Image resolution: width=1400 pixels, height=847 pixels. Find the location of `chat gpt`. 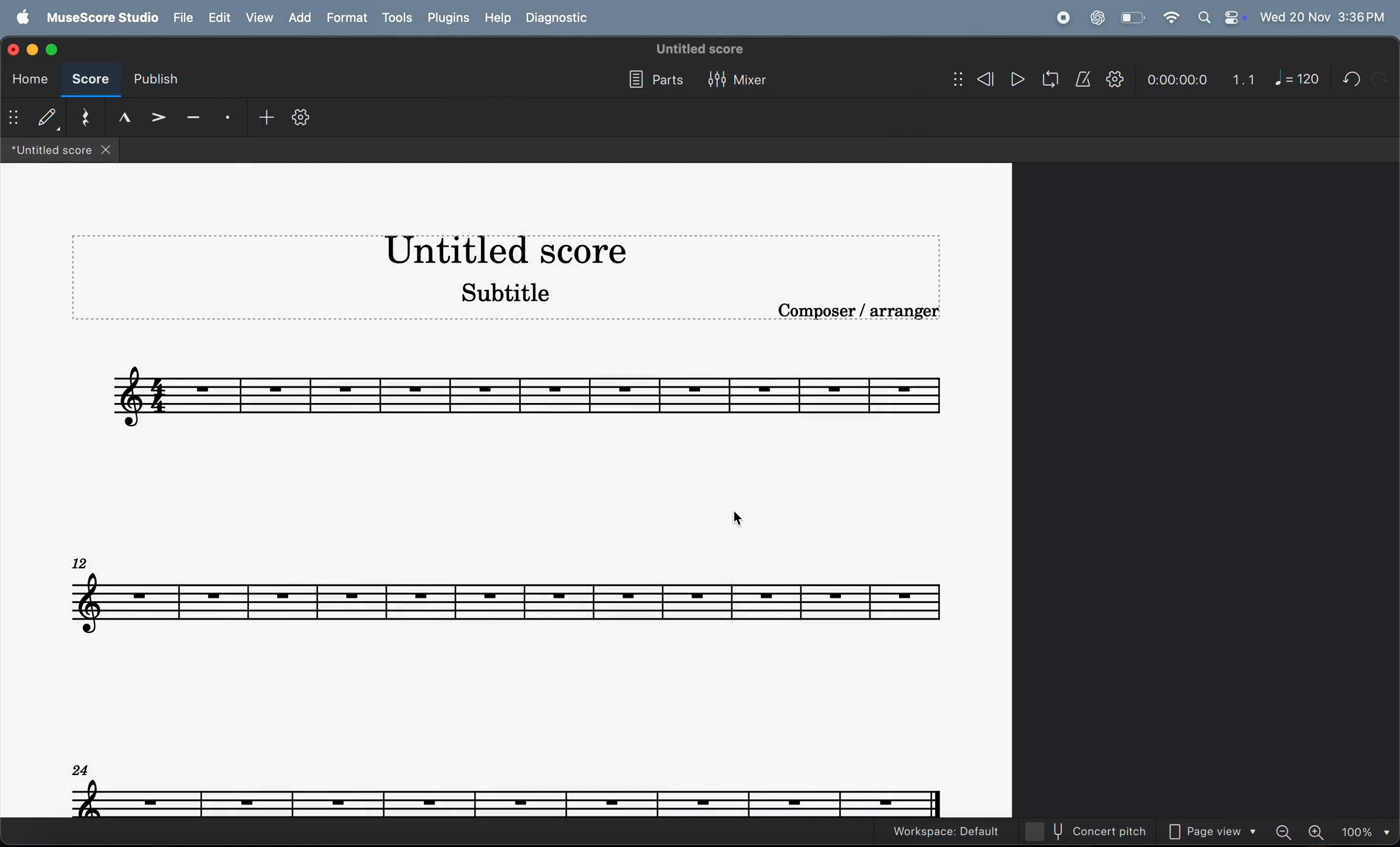

chat gpt is located at coordinates (1098, 18).